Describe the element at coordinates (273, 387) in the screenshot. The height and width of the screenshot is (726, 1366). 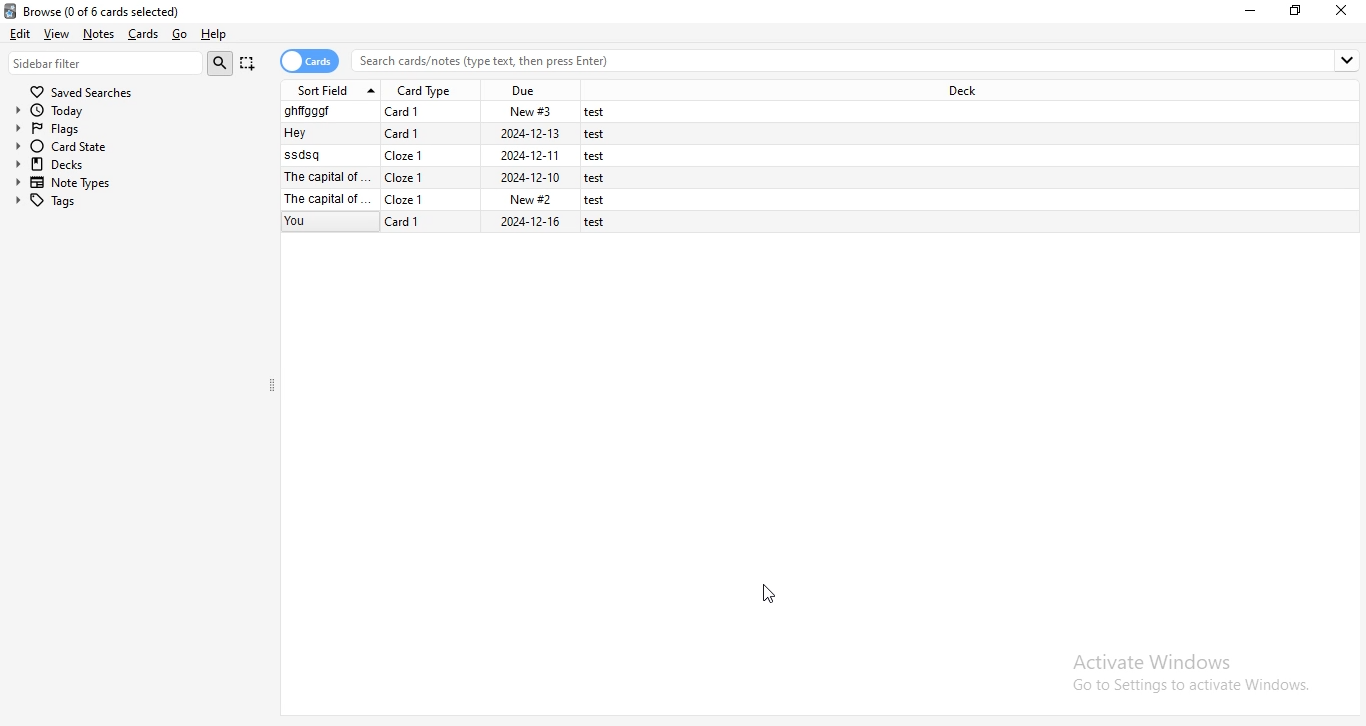
I see `collapse` at that location.